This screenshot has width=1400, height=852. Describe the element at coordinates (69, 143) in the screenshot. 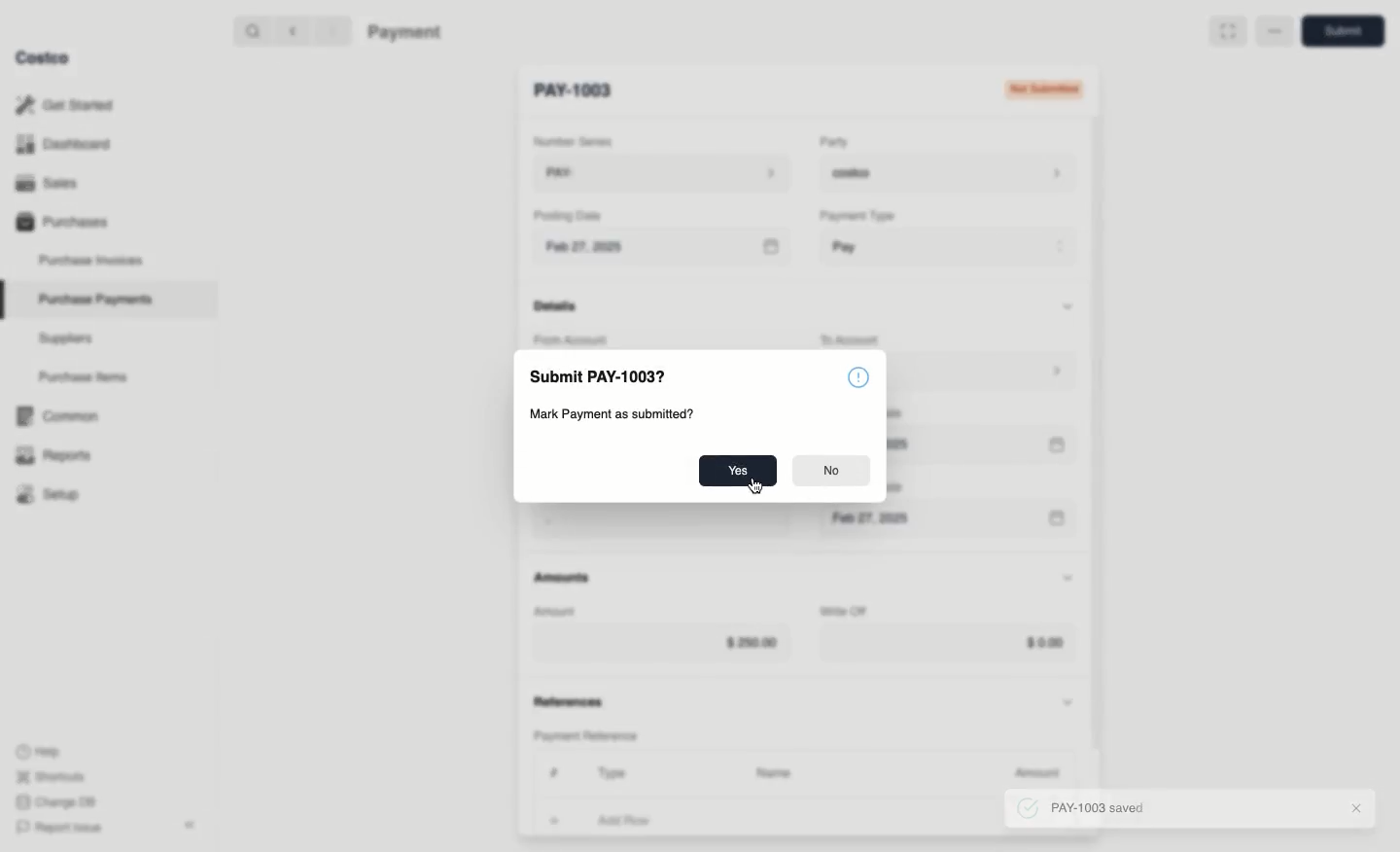

I see `Dashboard` at that location.